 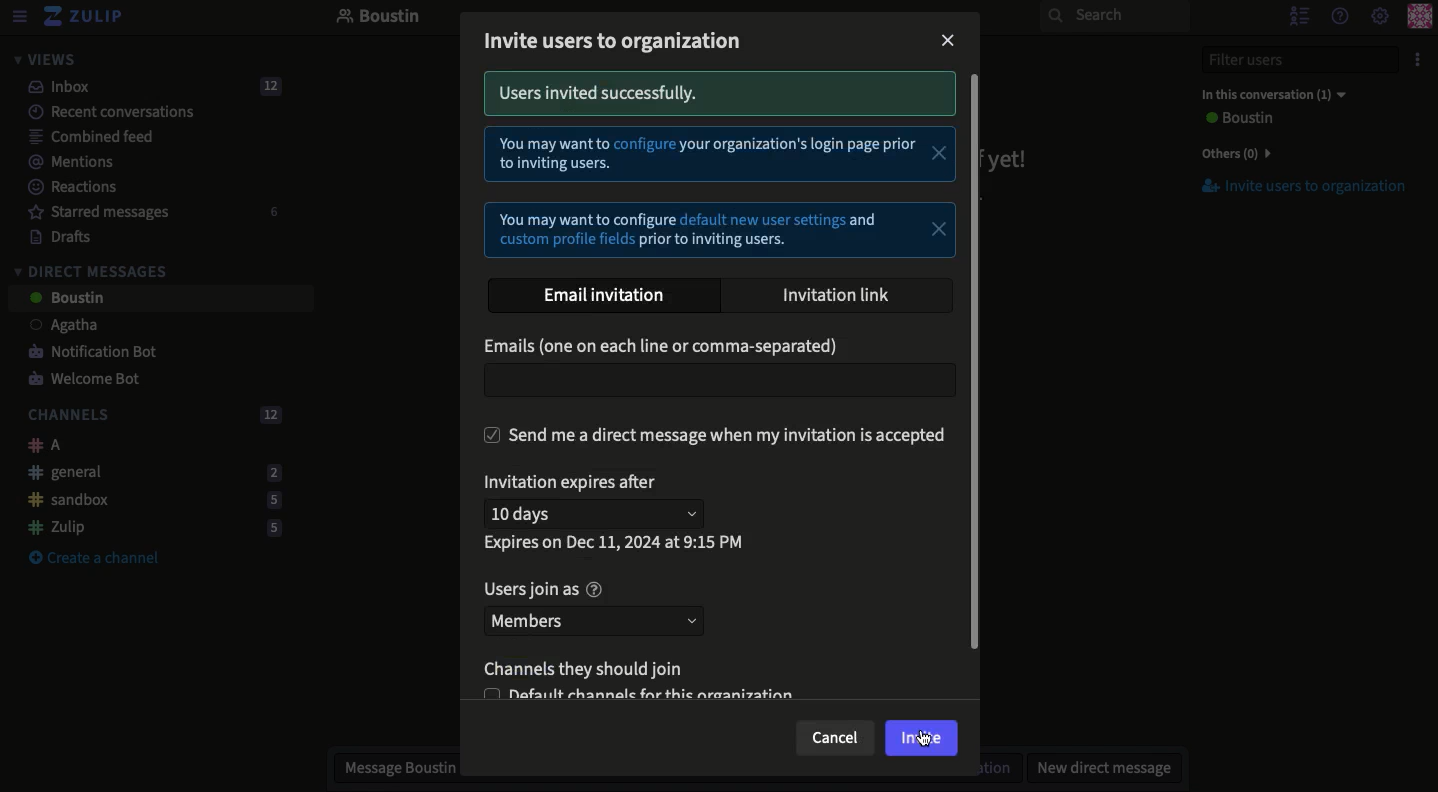 What do you see at coordinates (1099, 767) in the screenshot?
I see `New DM` at bounding box center [1099, 767].